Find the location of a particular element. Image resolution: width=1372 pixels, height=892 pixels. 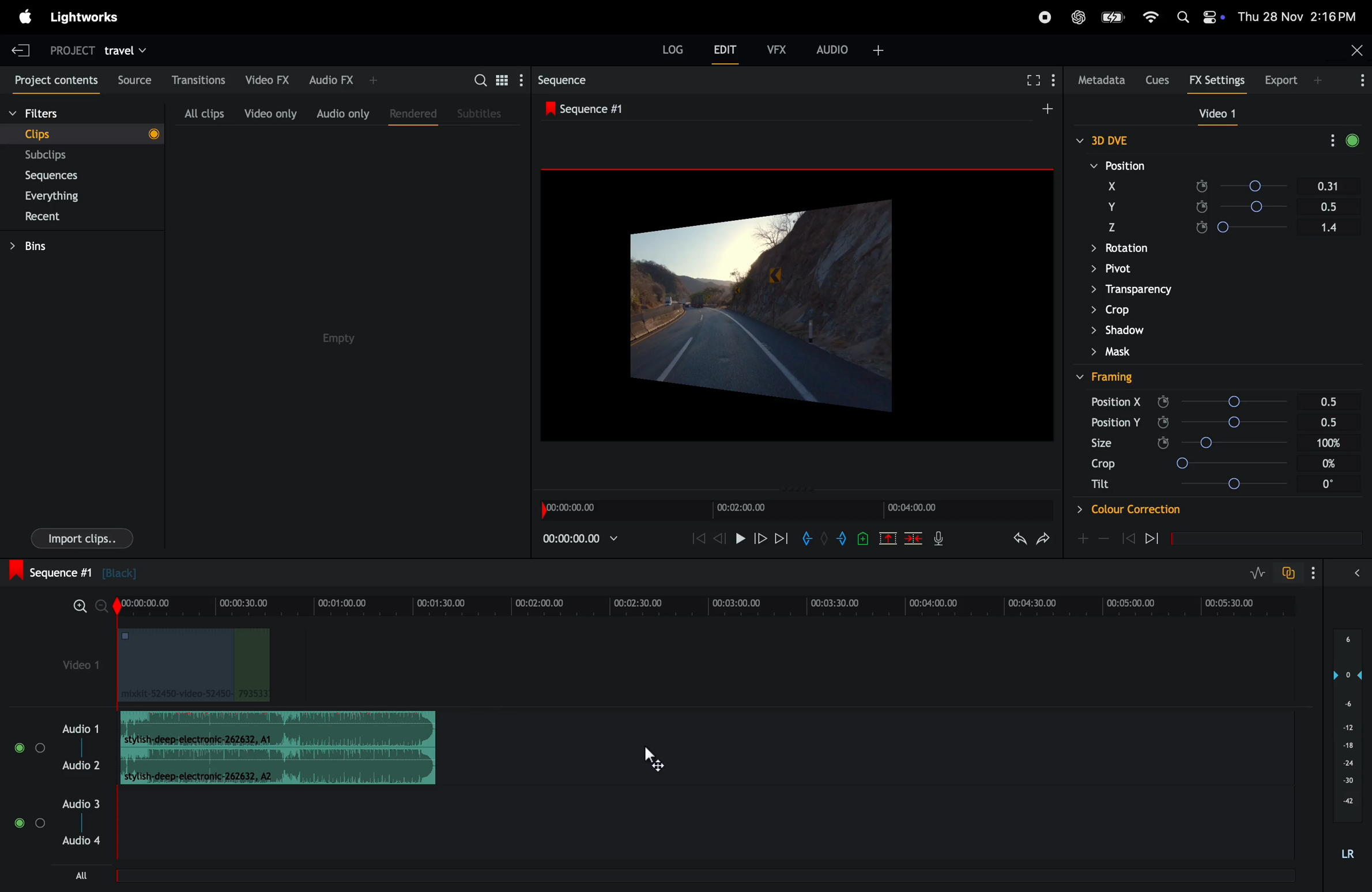

close is located at coordinates (1354, 52).